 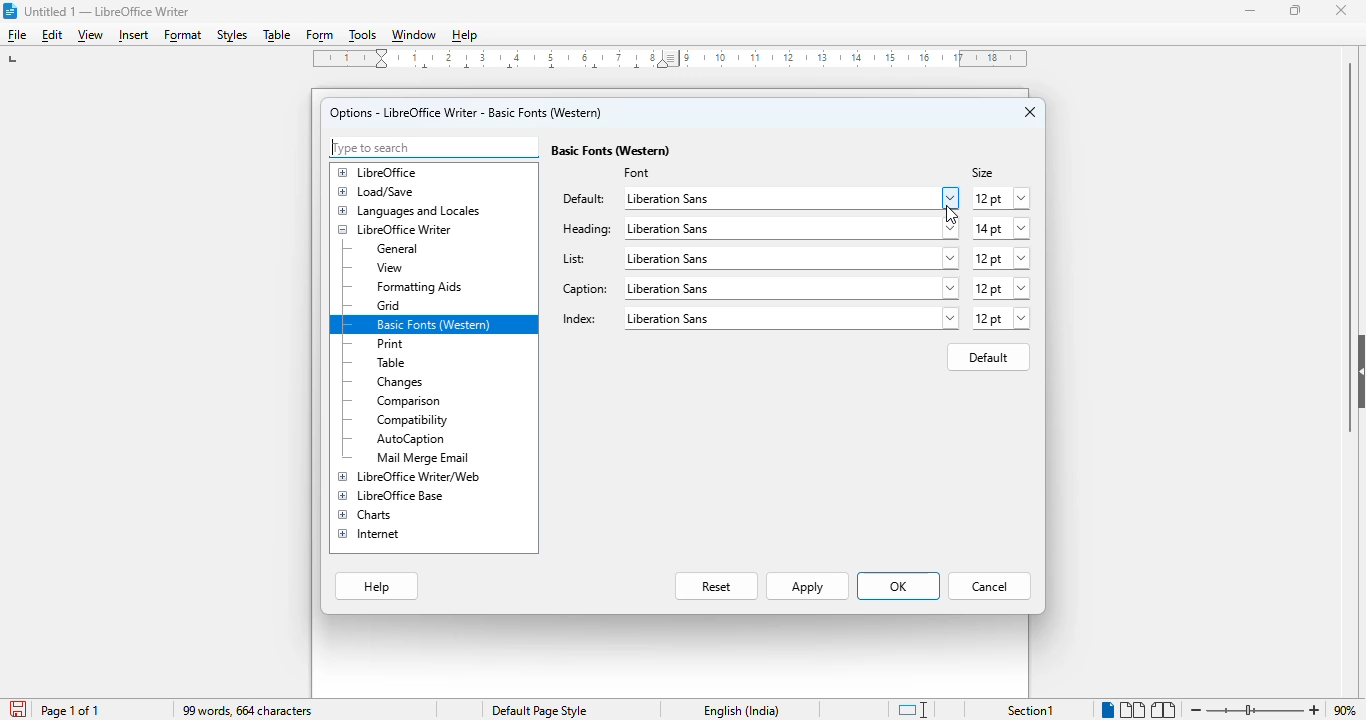 What do you see at coordinates (1195, 711) in the screenshot?
I see `zoom out` at bounding box center [1195, 711].